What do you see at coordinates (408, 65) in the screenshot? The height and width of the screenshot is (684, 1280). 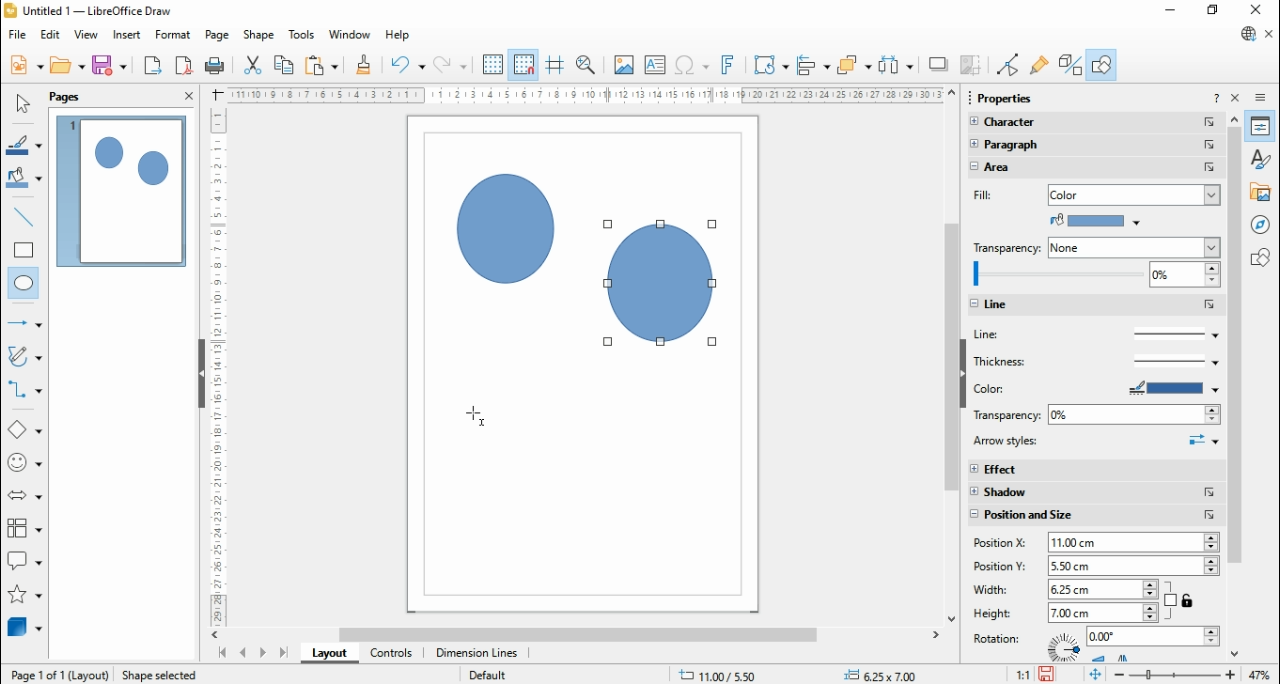 I see `undo` at bounding box center [408, 65].